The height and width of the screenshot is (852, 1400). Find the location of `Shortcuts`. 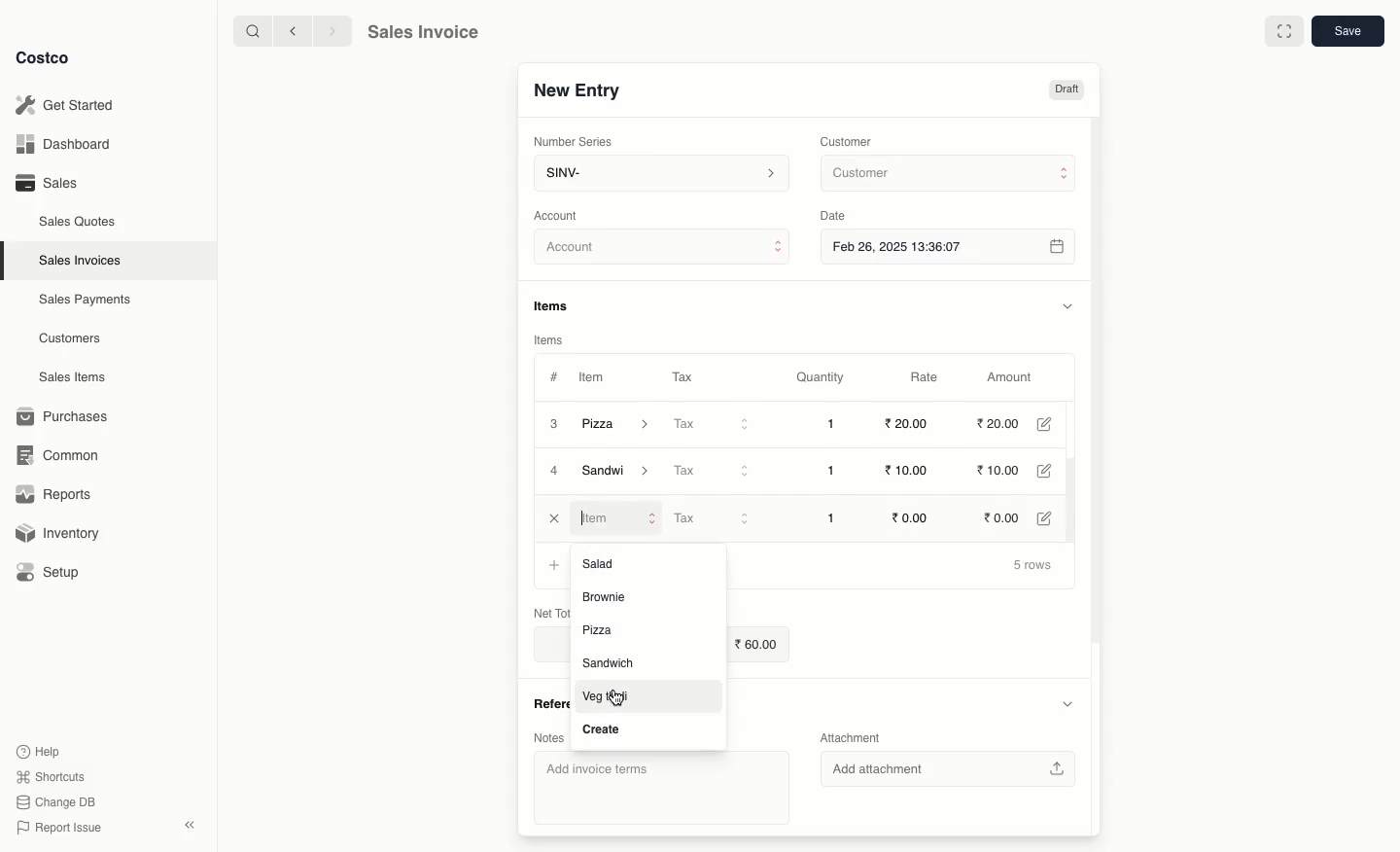

Shortcuts is located at coordinates (50, 777).